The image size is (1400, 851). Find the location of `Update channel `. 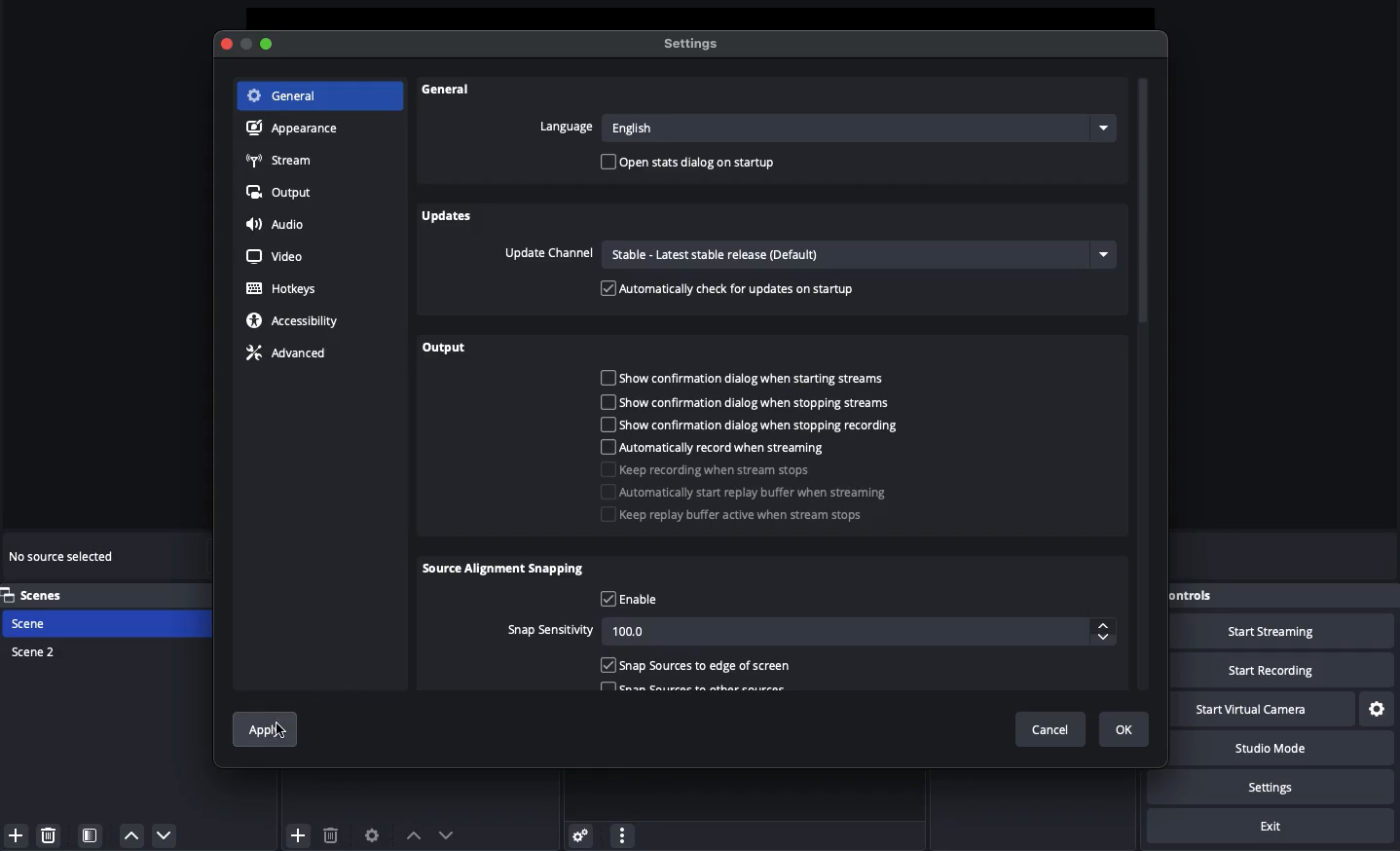

Update channel  is located at coordinates (806, 254).